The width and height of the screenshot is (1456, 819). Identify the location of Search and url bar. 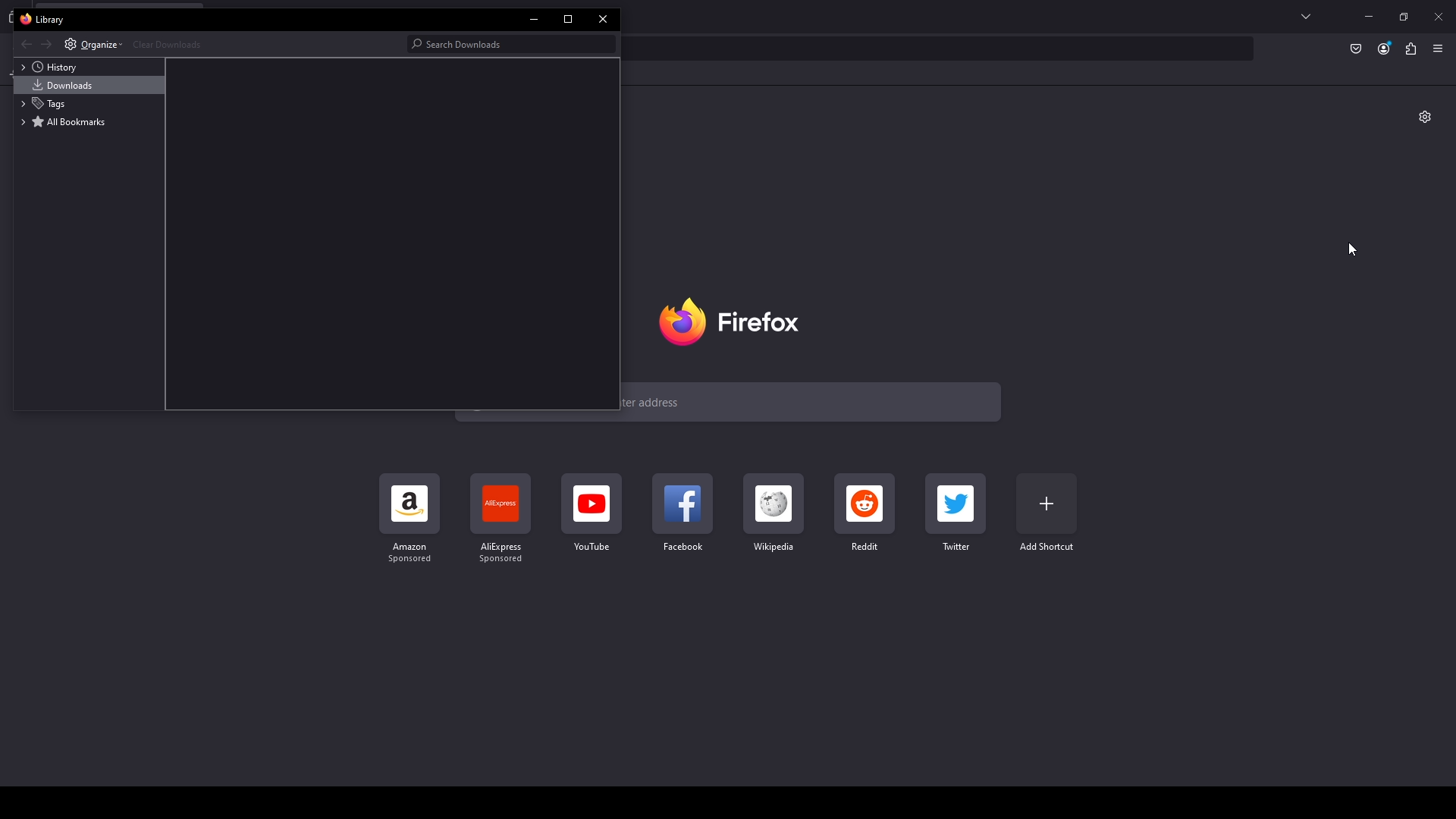
(940, 49).